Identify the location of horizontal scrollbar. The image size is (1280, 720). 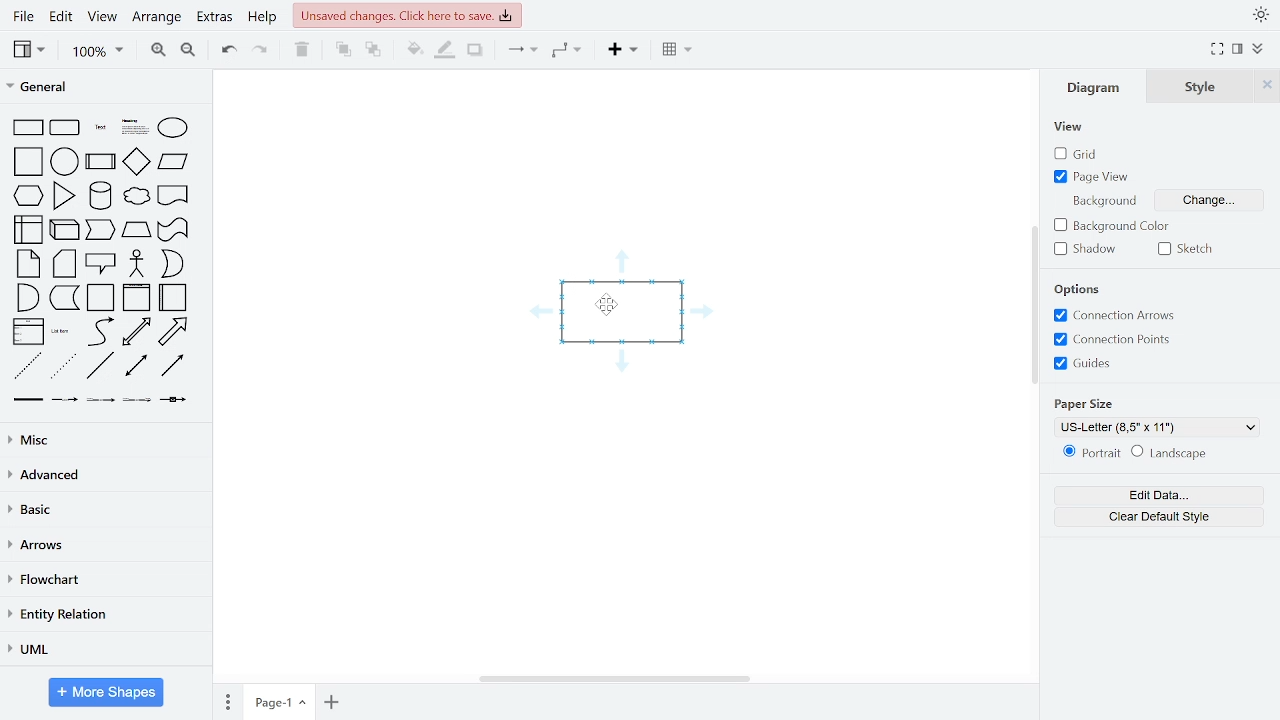
(615, 677).